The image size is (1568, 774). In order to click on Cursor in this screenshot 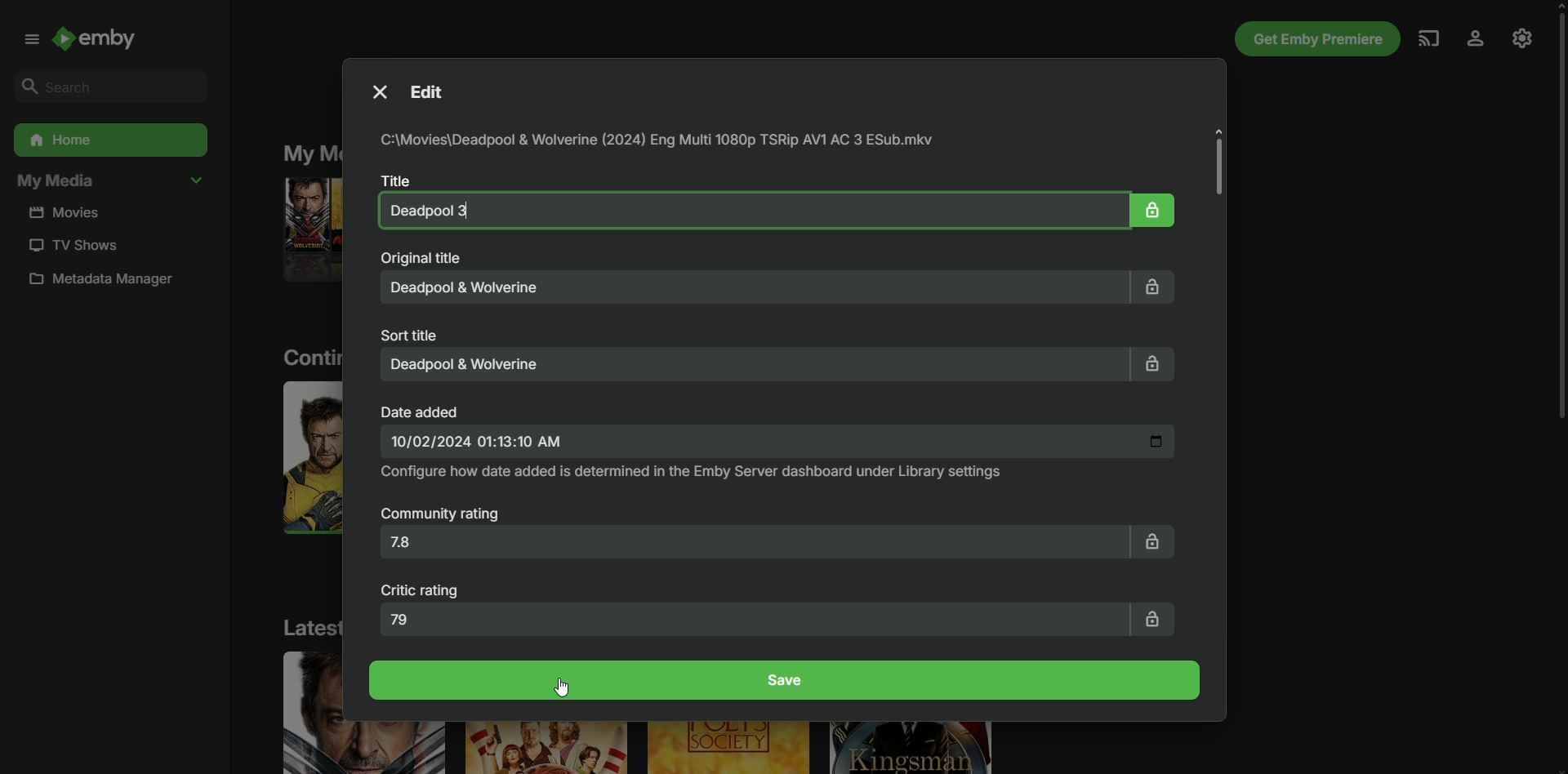, I will do `click(556, 687)`.